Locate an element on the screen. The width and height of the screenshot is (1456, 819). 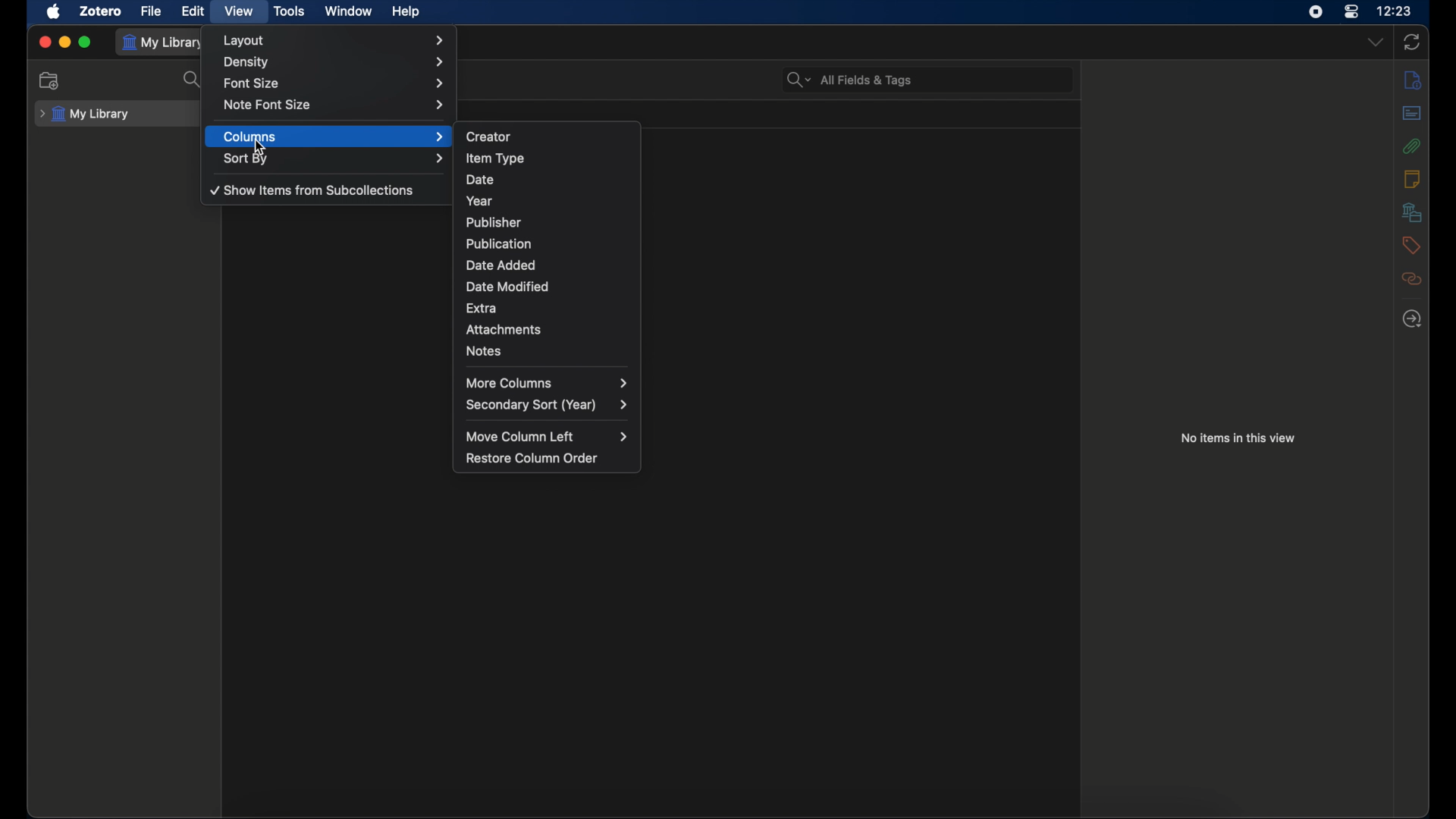
info is located at coordinates (1414, 80).